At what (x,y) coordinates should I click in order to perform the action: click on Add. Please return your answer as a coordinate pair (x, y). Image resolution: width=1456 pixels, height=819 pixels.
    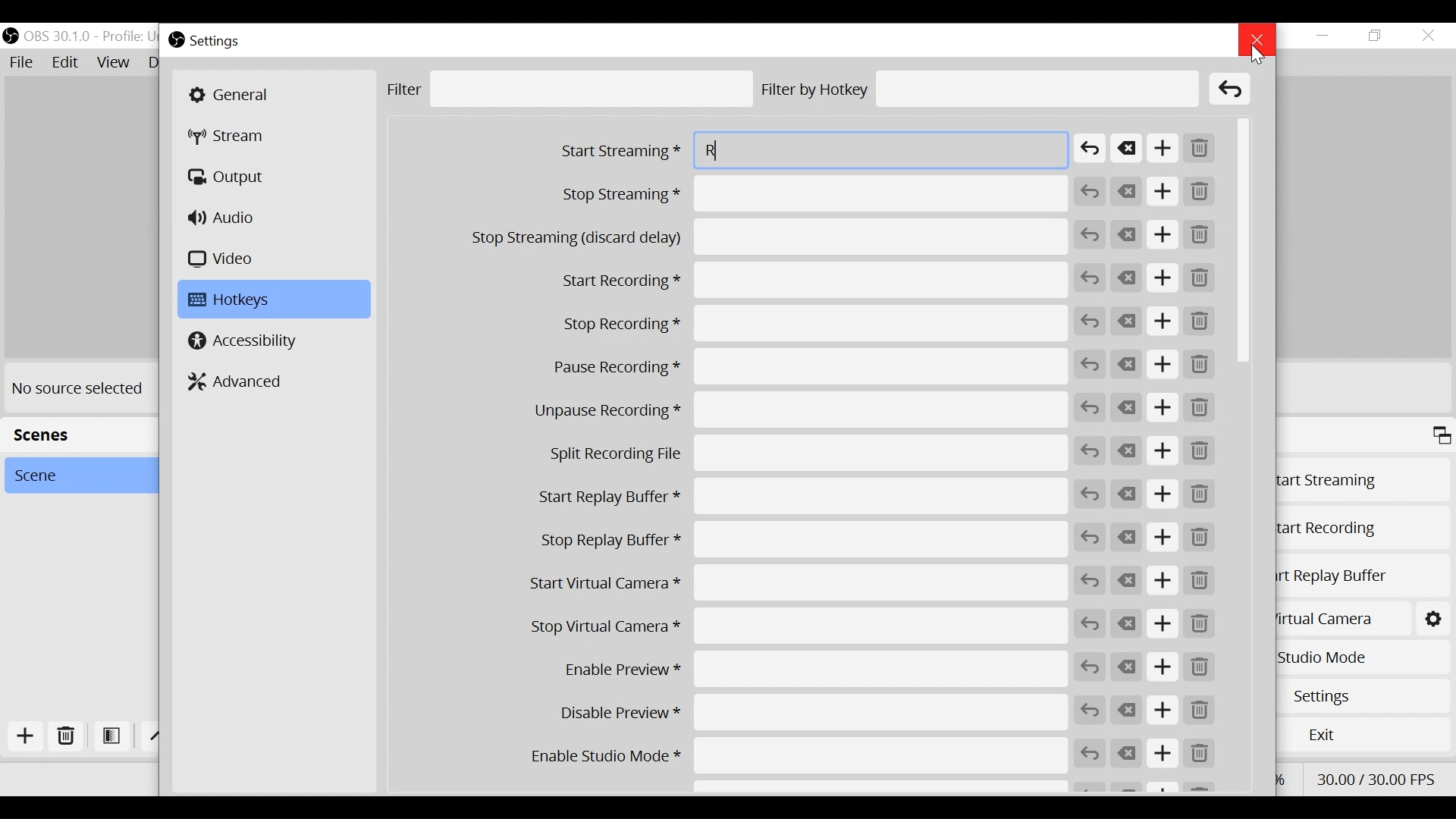
    Looking at the image, I should click on (1163, 366).